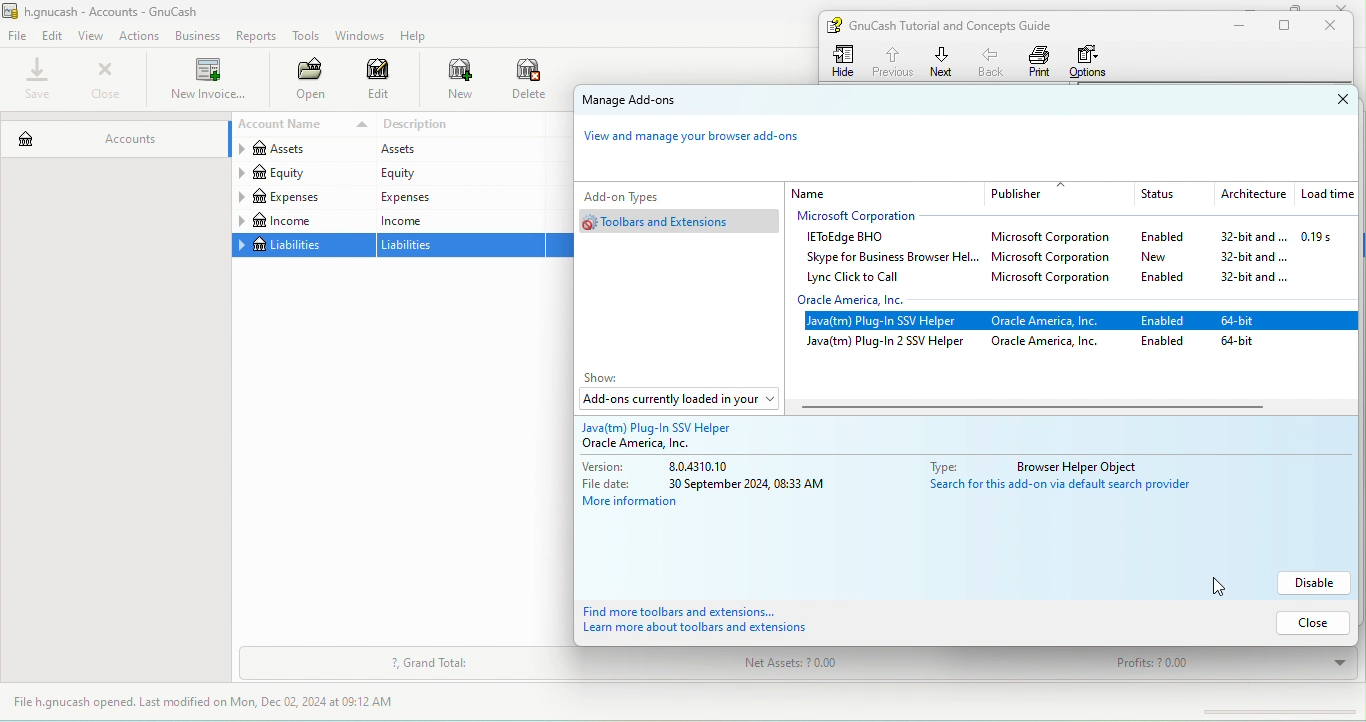 The image size is (1366, 722). What do you see at coordinates (307, 38) in the screenshot?
I see `tools` at bounding box center [307, 38].